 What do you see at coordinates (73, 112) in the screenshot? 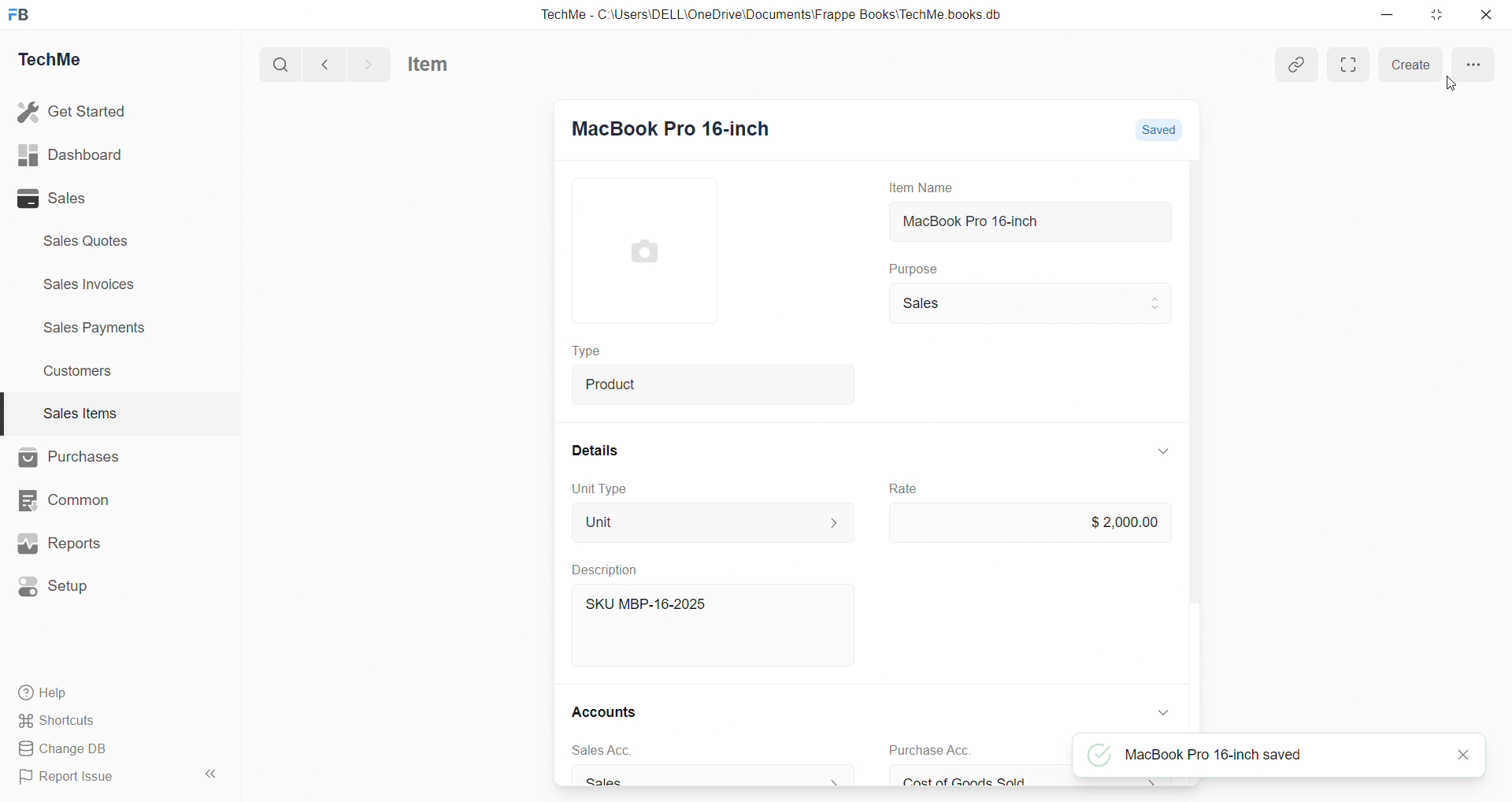
I see `Get Started` at bounding box center [73, 112].